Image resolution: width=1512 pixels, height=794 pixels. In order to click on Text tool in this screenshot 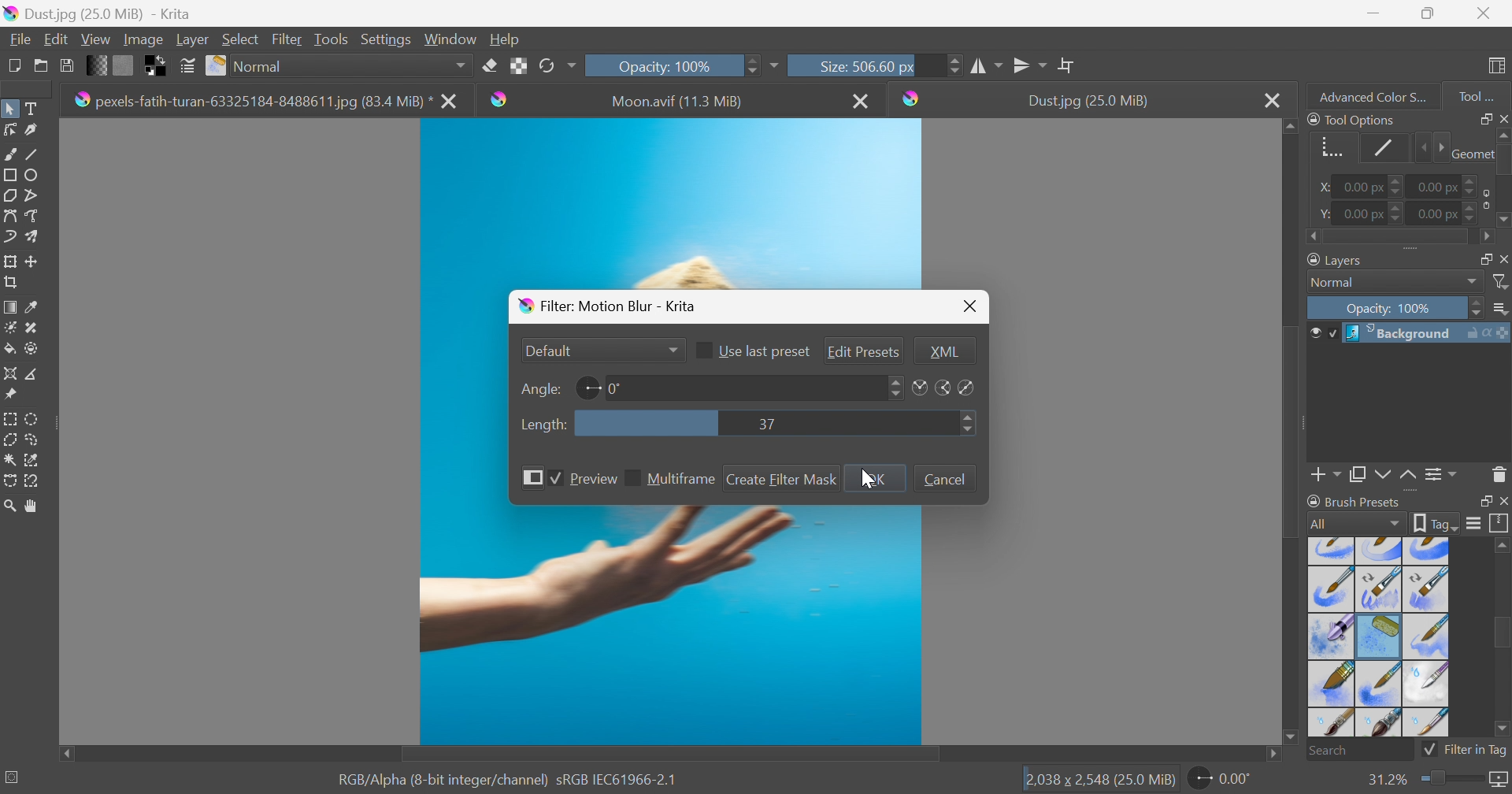, I will do `click(35, 109)`.